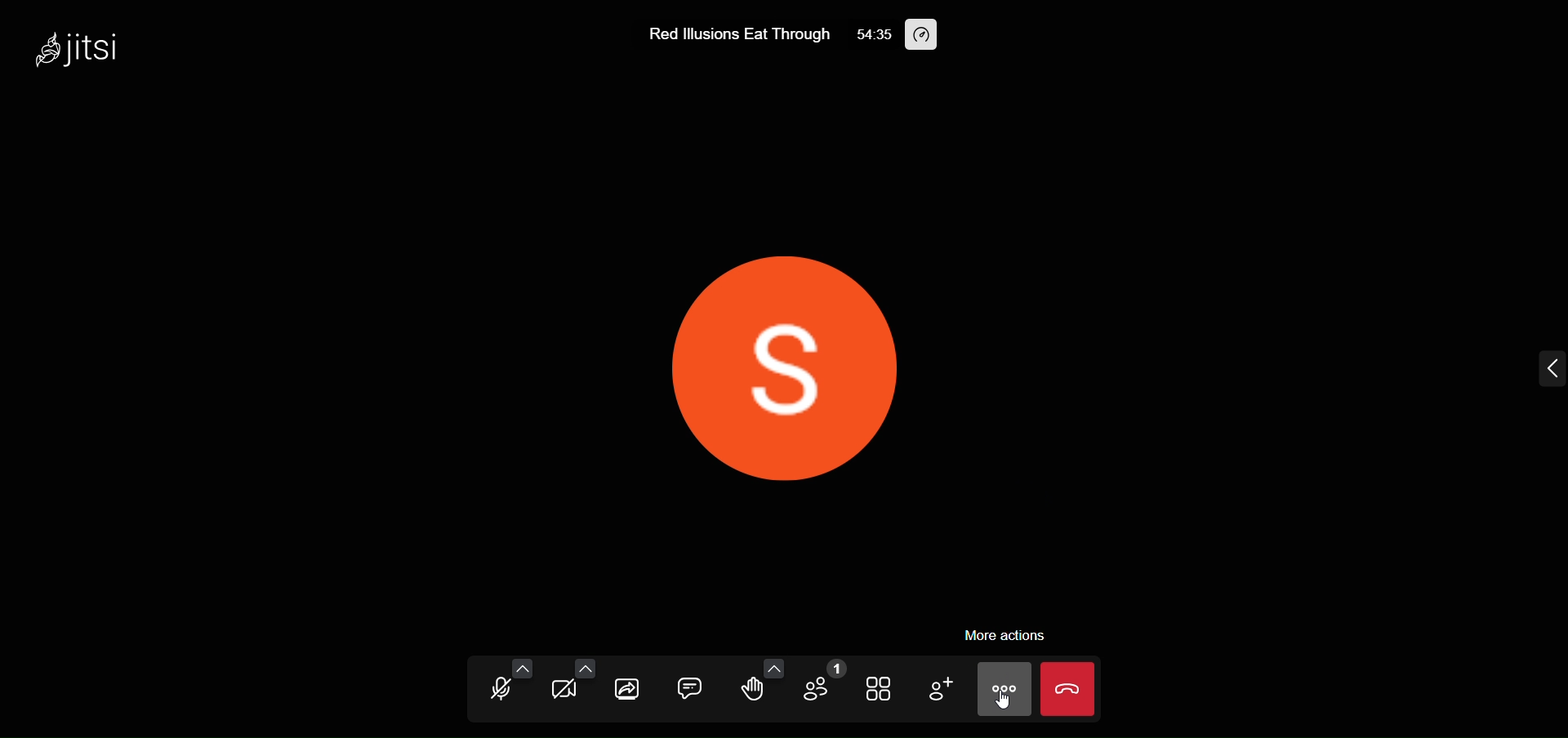 The height and width of the screenshot is (738, 1568). Describe the element at coordinates (775, 667) in the screenshot. I see `more emoji` at that location.